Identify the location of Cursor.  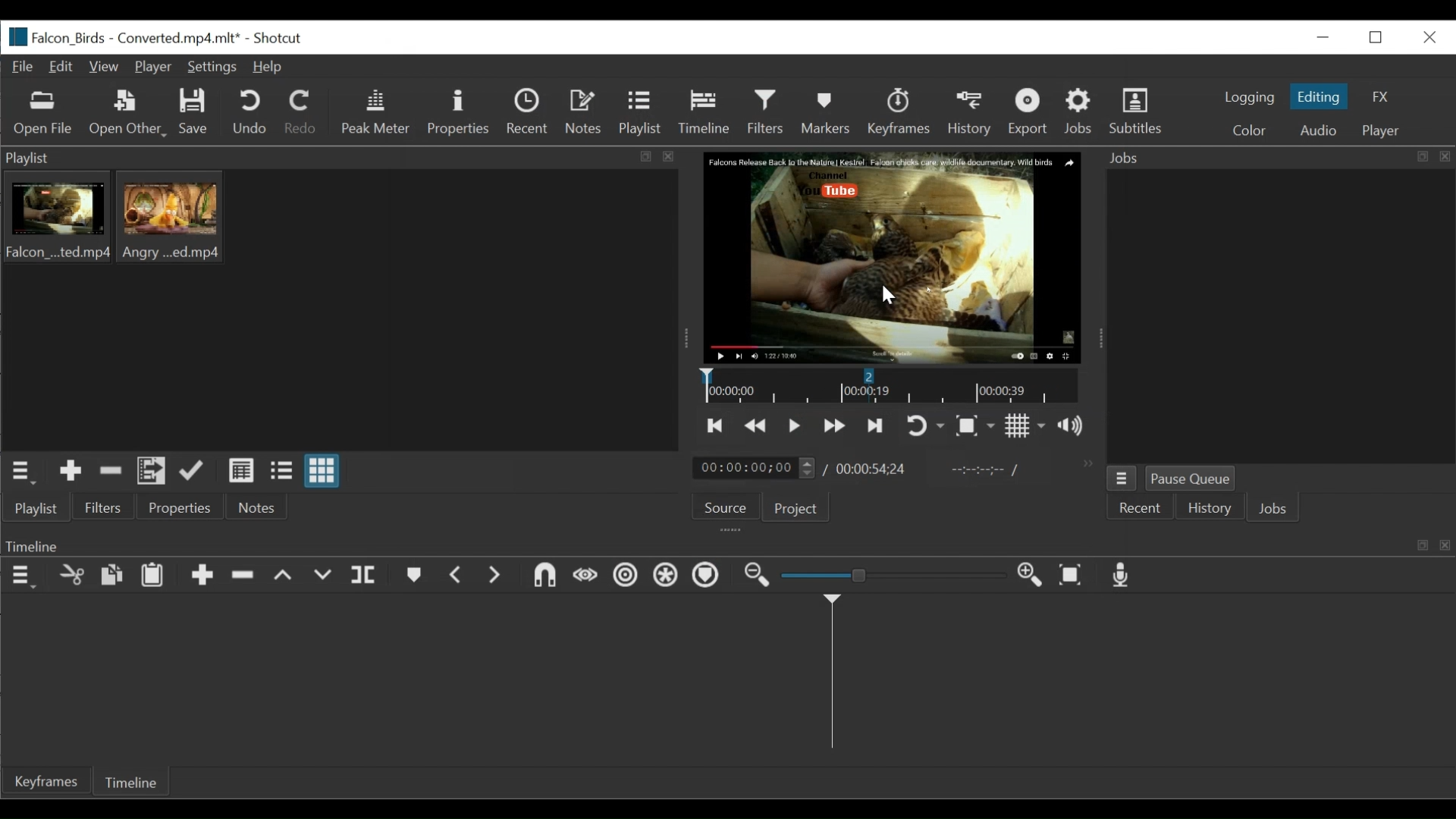
(888, 297).